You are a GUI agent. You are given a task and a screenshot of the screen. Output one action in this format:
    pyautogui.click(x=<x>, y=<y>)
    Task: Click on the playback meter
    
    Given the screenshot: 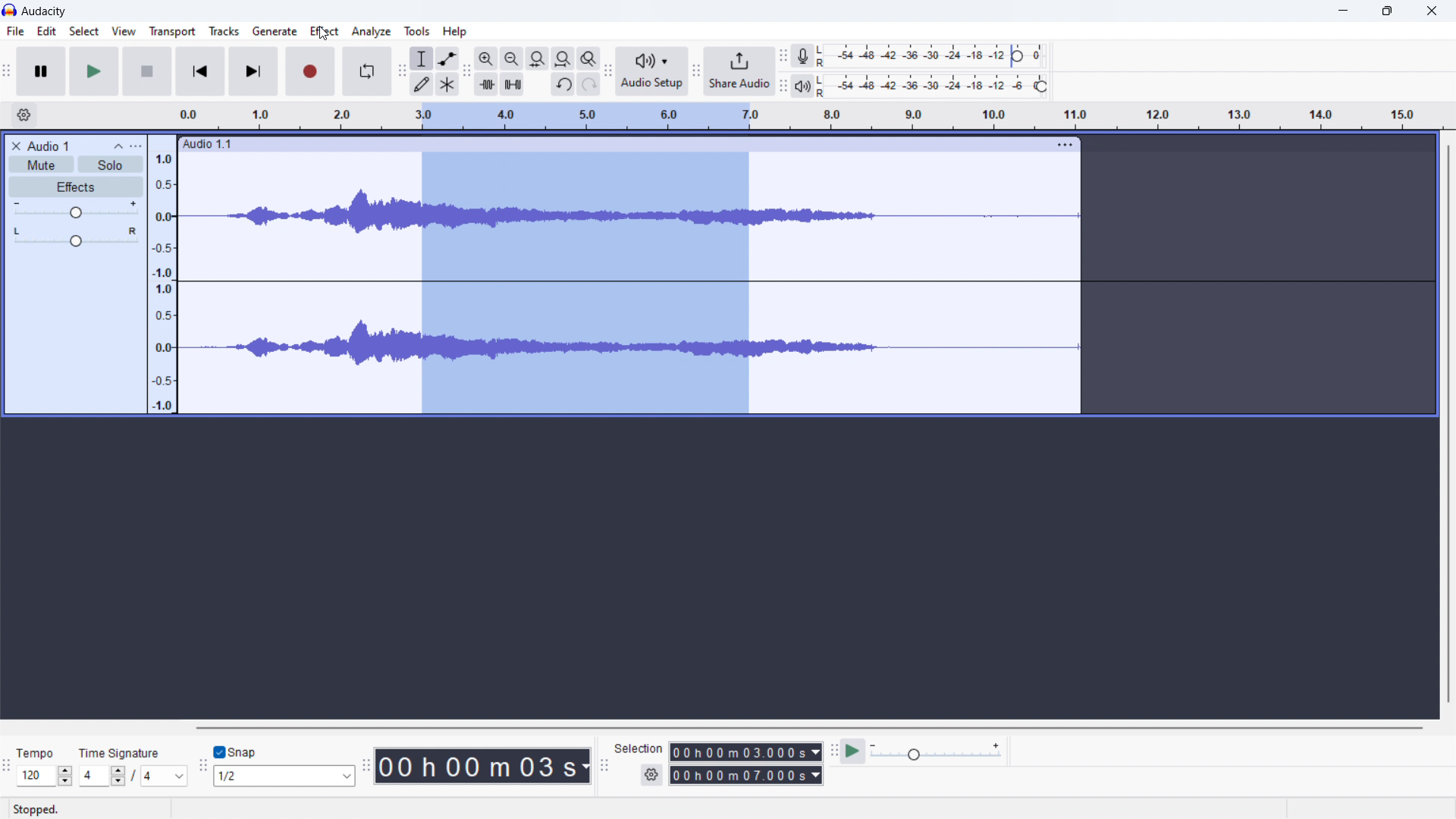 What is the action you would take?
    pyautogui.click(x=804, y=86)
    